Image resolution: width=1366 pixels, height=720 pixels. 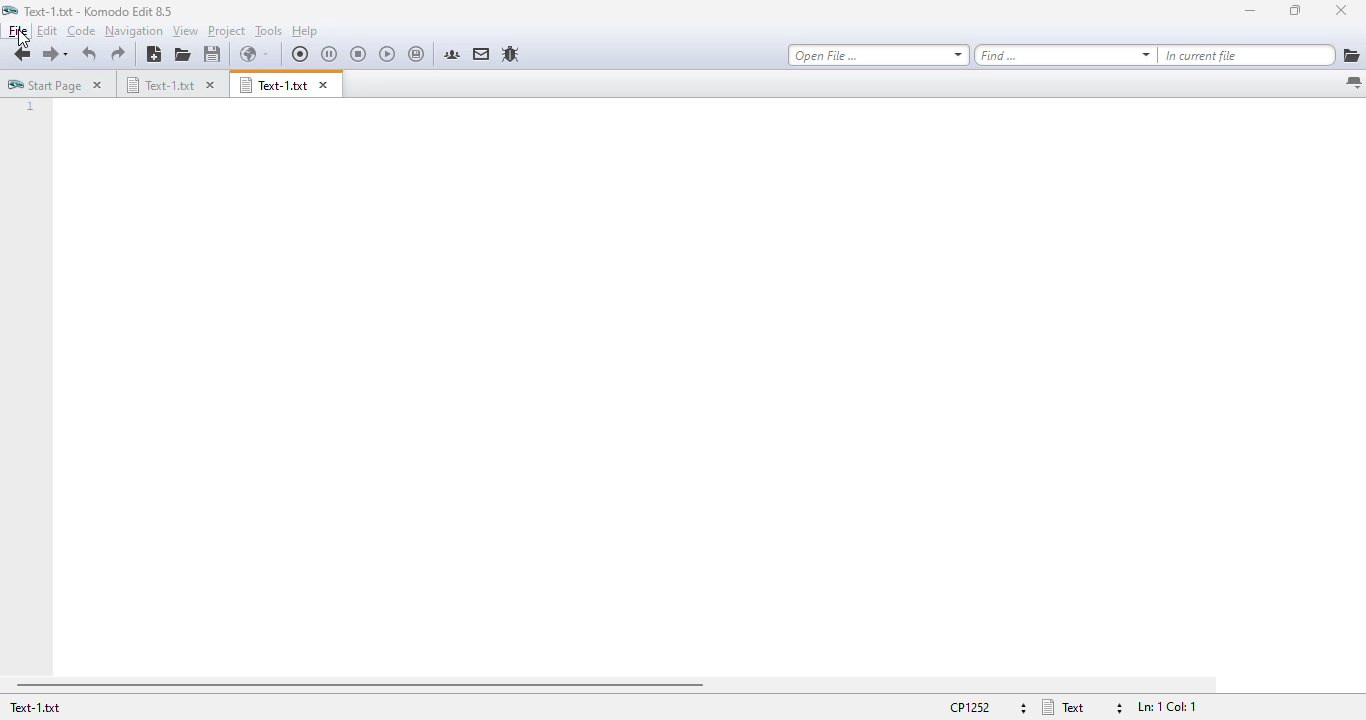 What do you see at coordinates (510, 54) in the screenshot?
I see `report a bug in the komodo bugzilla database` at bounding box center [510, 54].